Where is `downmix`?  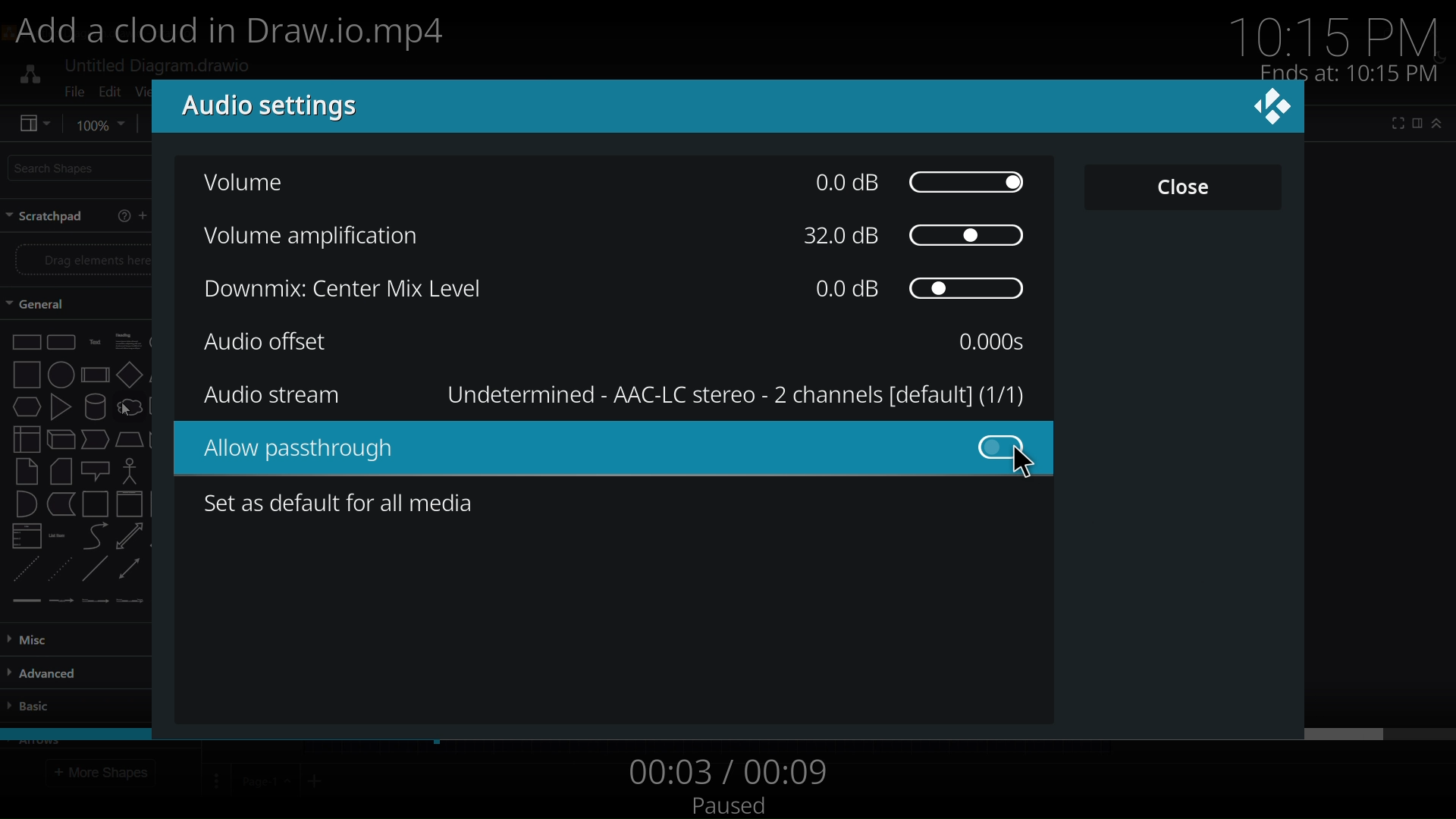 downmix is located at coordinates (334, 293).